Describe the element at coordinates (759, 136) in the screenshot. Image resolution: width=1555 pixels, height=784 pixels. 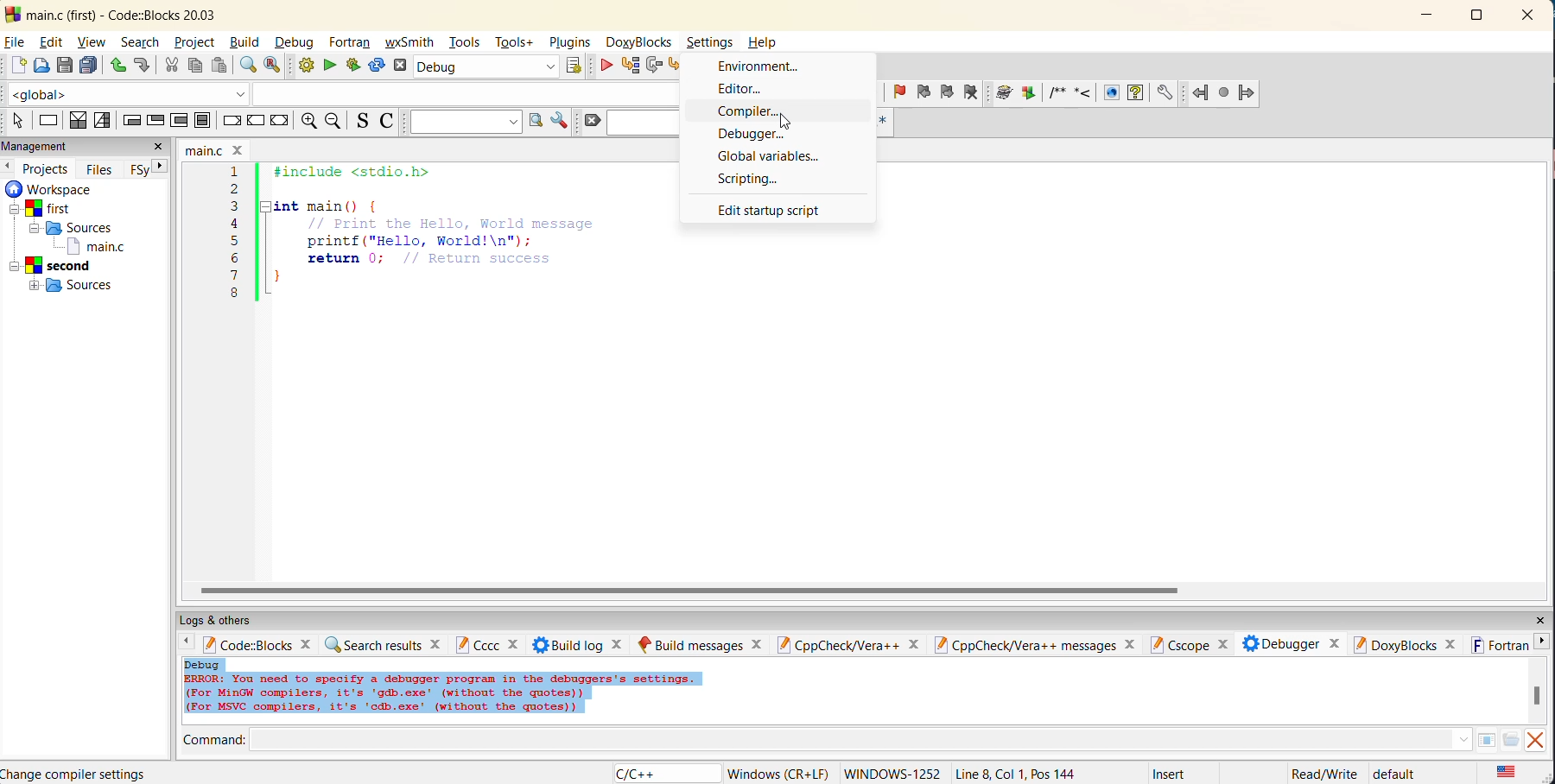
I see `debugger` at that location.